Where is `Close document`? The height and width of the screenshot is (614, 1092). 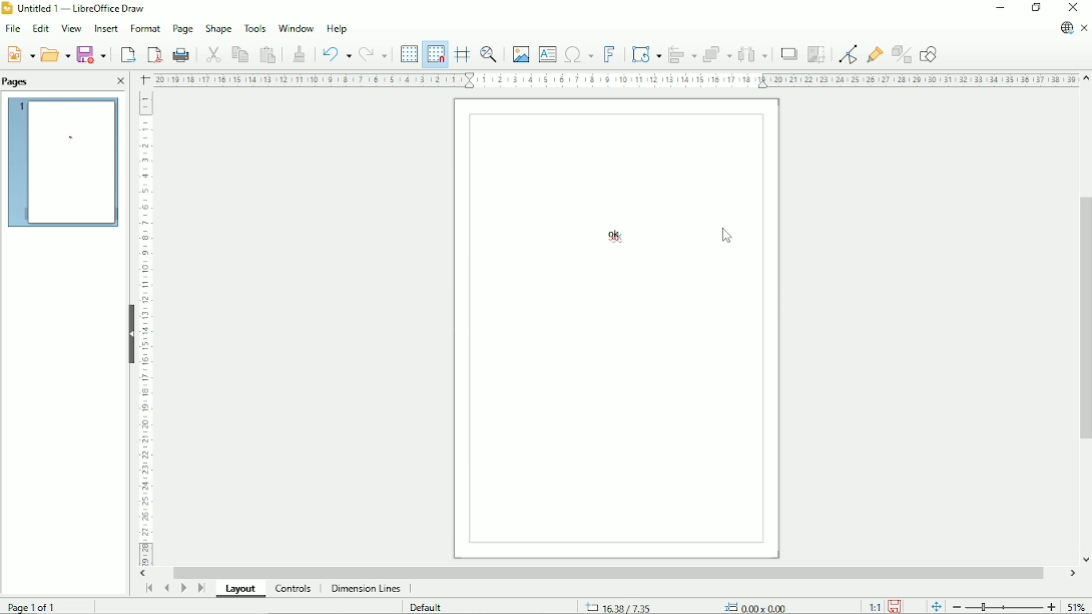
Close document is located at coordinates (1085, 27).